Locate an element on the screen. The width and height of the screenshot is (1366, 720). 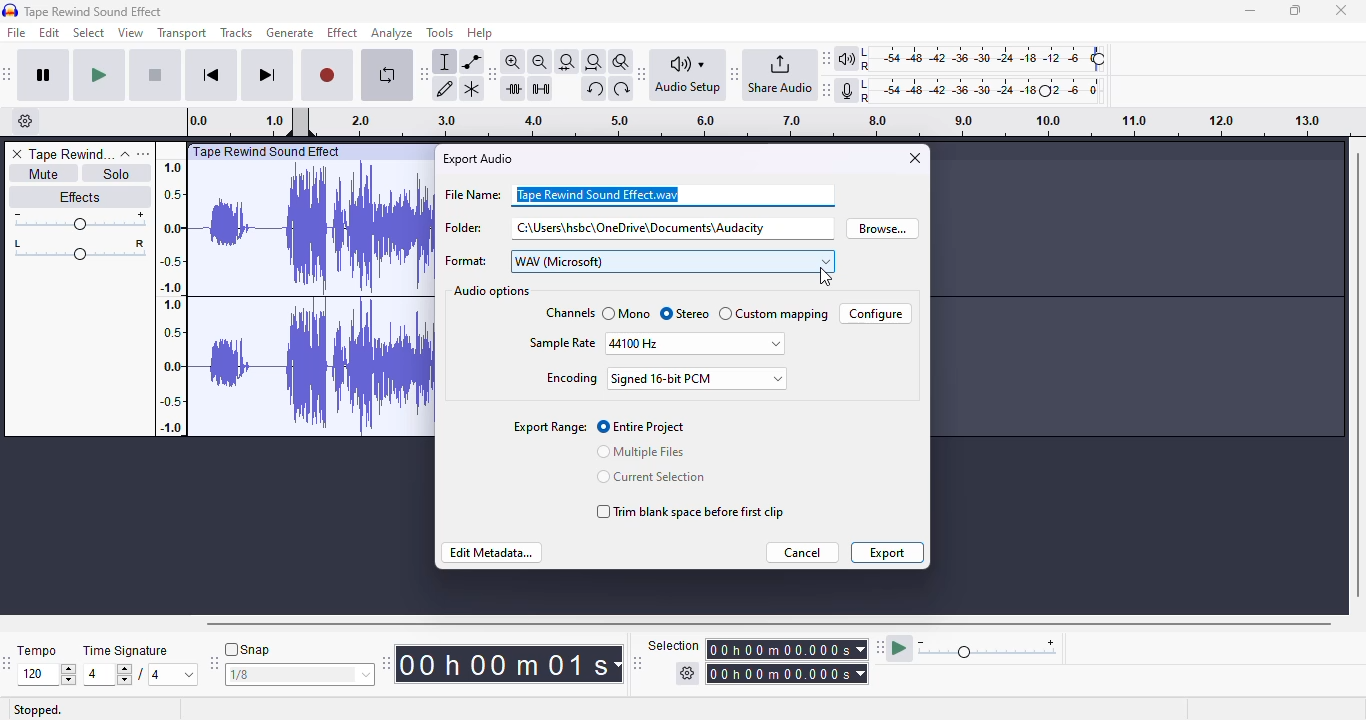
track is located at coordinates (72, 154).